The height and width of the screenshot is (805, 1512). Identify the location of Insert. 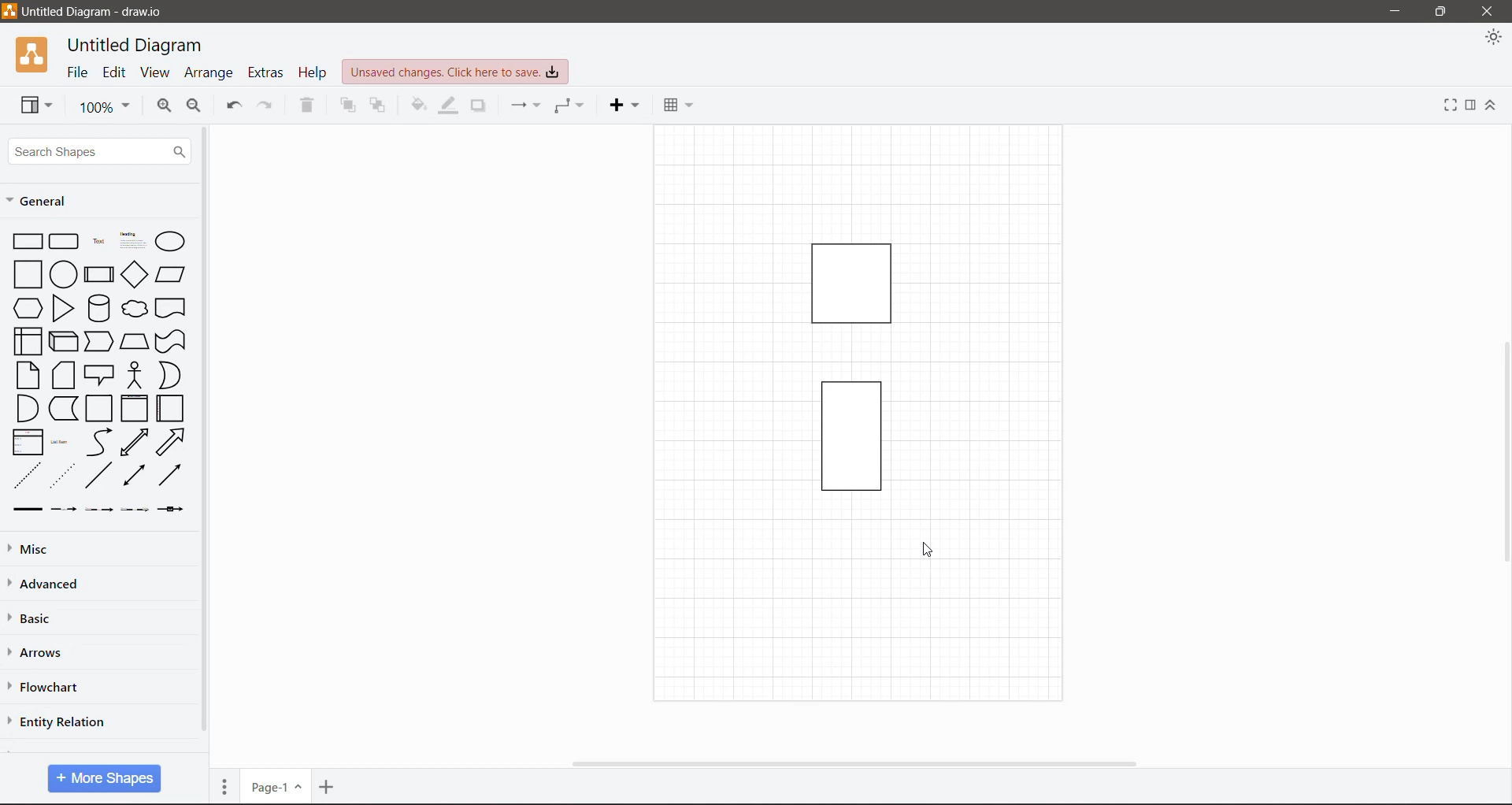
(624, 106).